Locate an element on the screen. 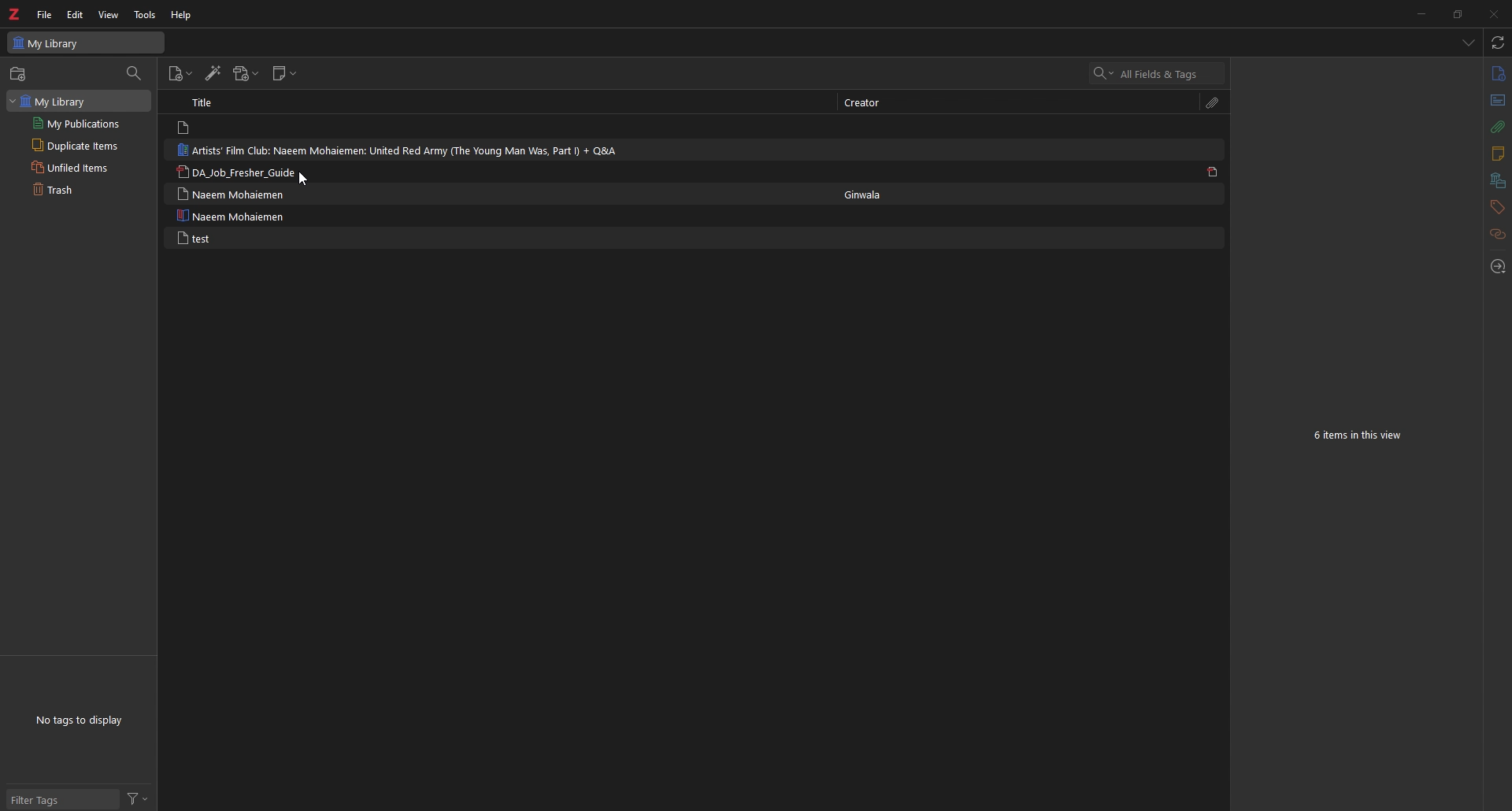  minimize is located at coordinates (1419, 13).